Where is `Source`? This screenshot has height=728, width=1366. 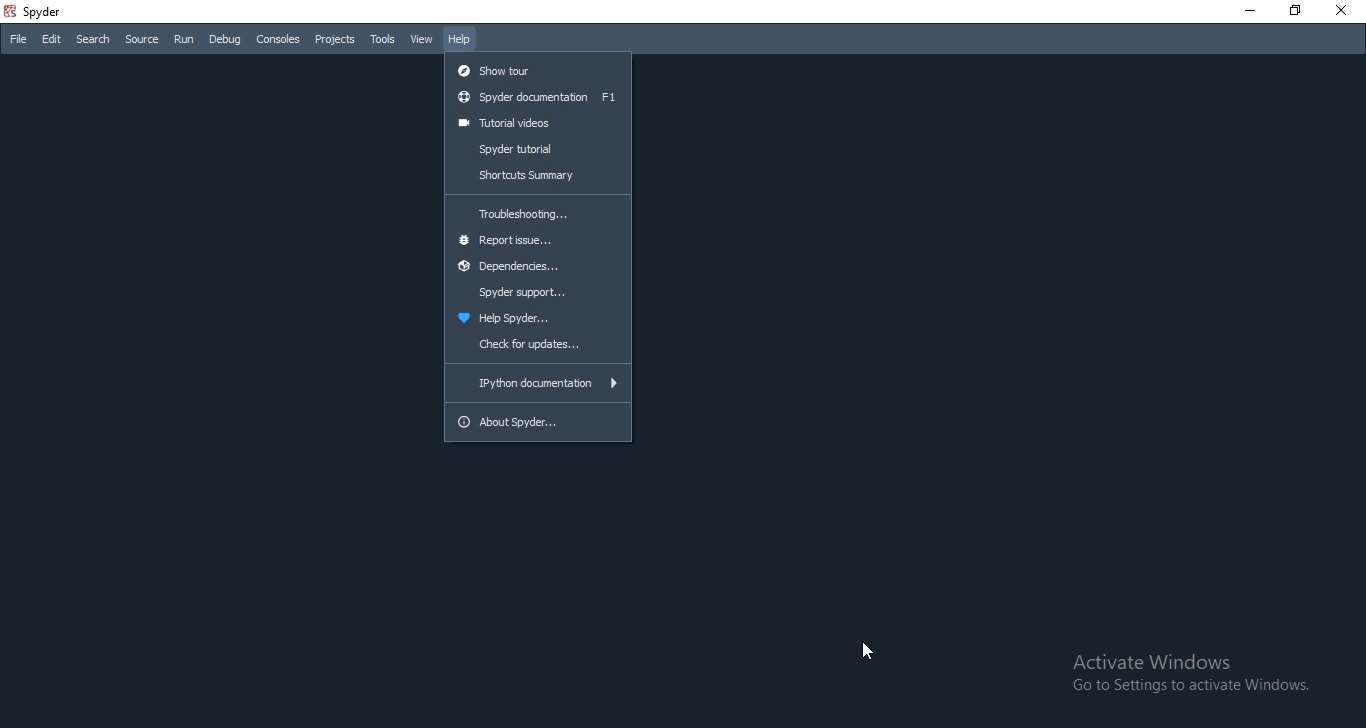 Source is located at coordinates (142, 40).